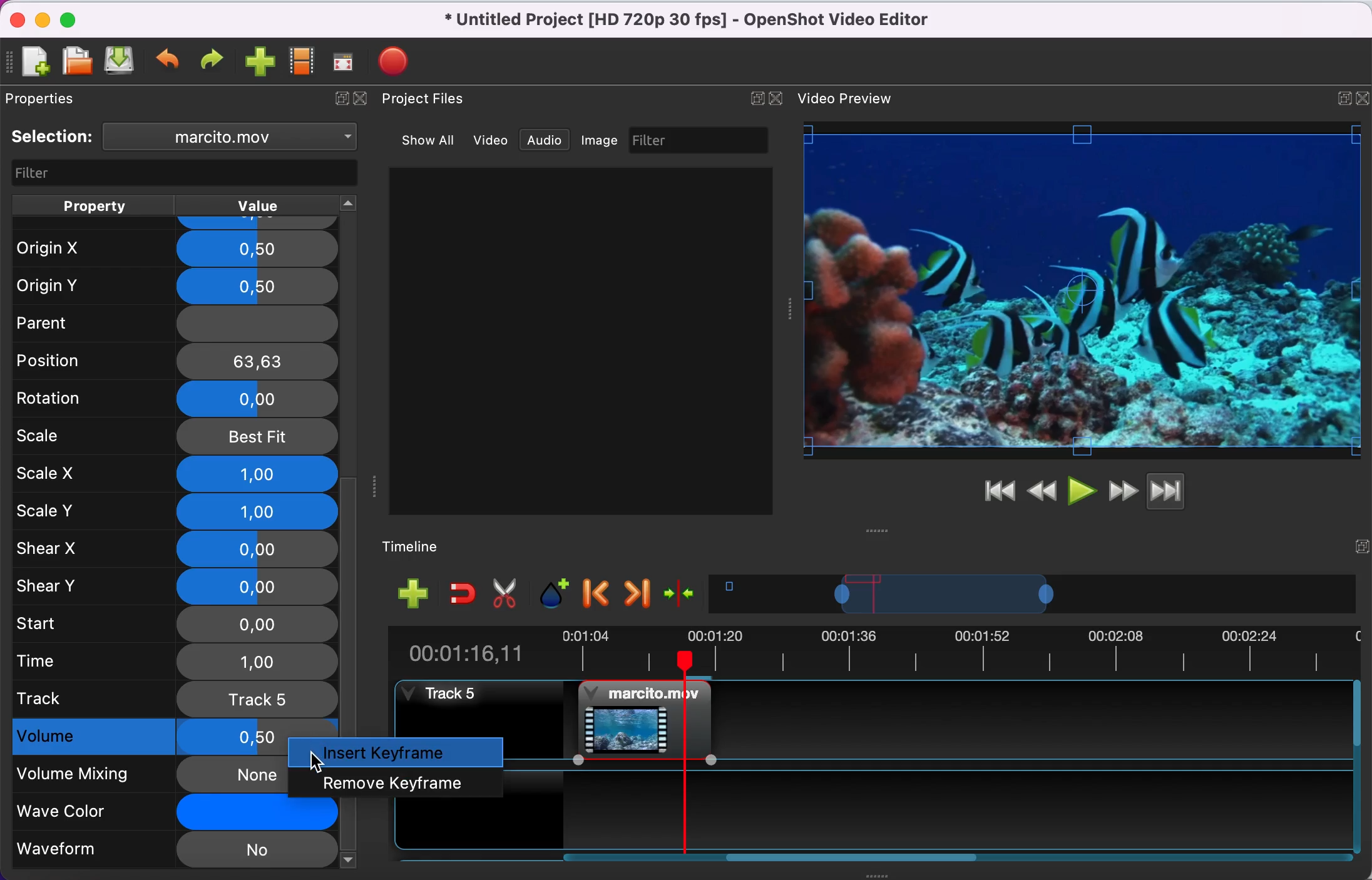 The height and width of the screenshot is (880, 1372). Describe the element at coordinates (1036, 597) in the screenshot. I see `timeline` at that location.